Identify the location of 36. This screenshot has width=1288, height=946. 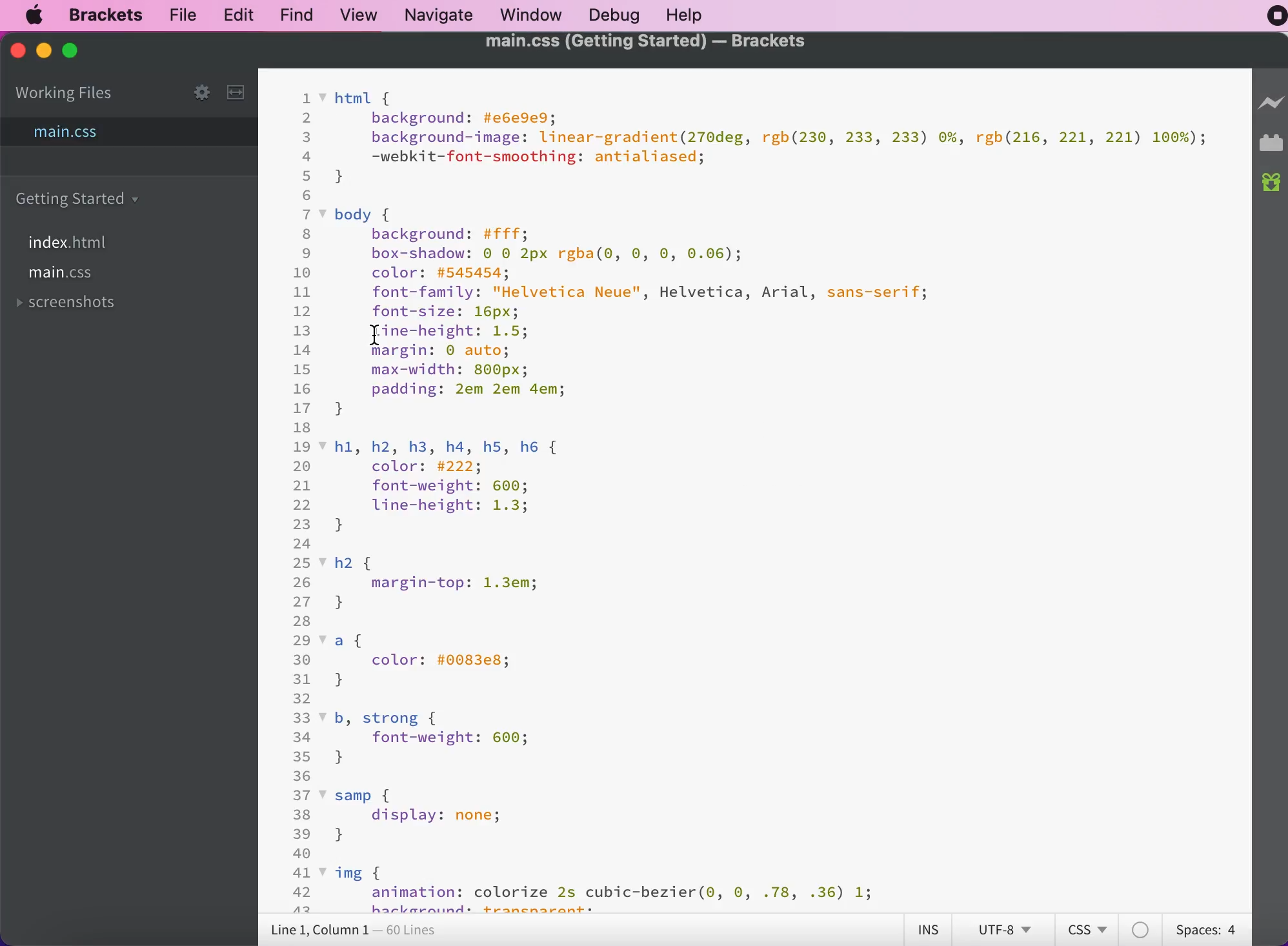
(302, 776).